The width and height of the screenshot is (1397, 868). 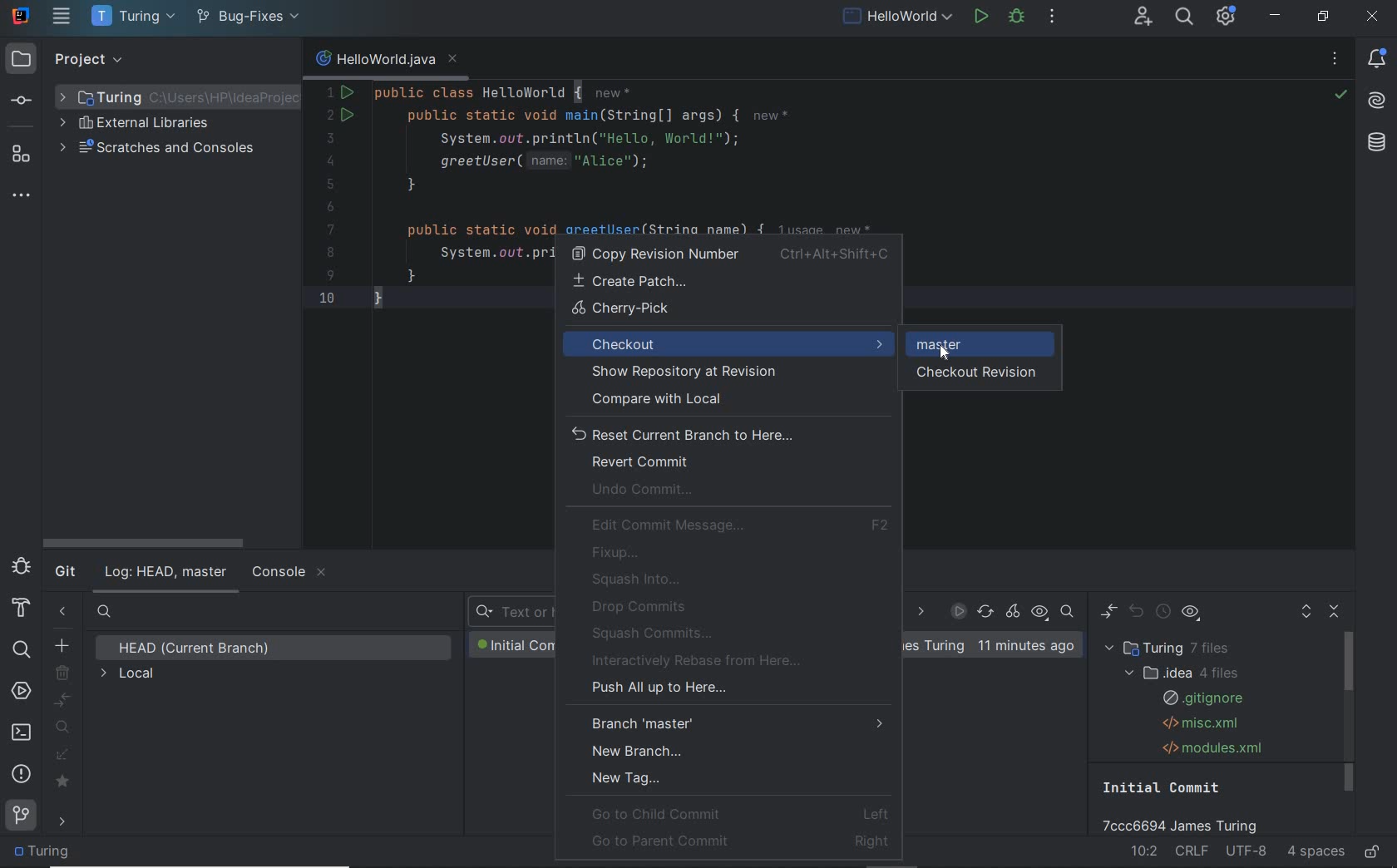 I want to click on more tool windows, so click(x=22, y=196).